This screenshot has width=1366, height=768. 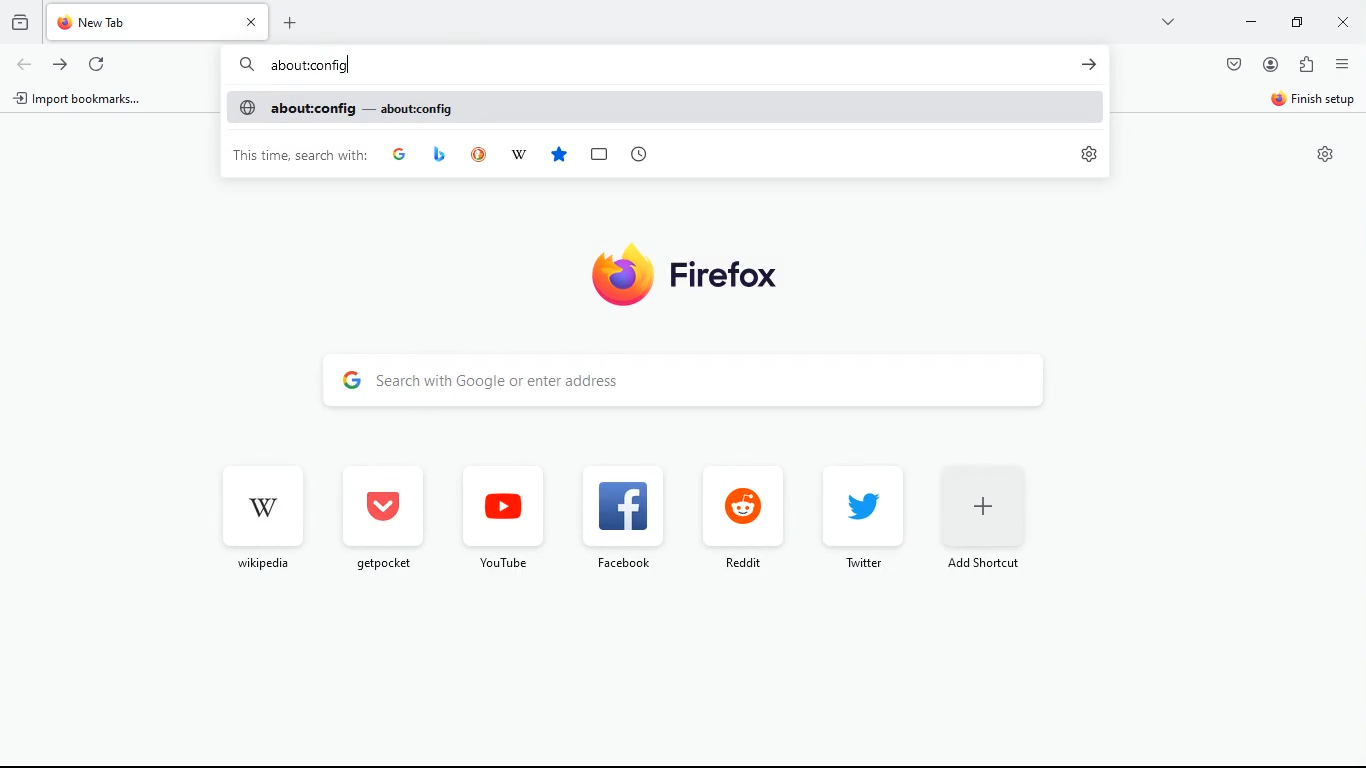 What do you see at coordinates (708, 382) in the screenshot?
I see `search` at bounding box center [708, 382].